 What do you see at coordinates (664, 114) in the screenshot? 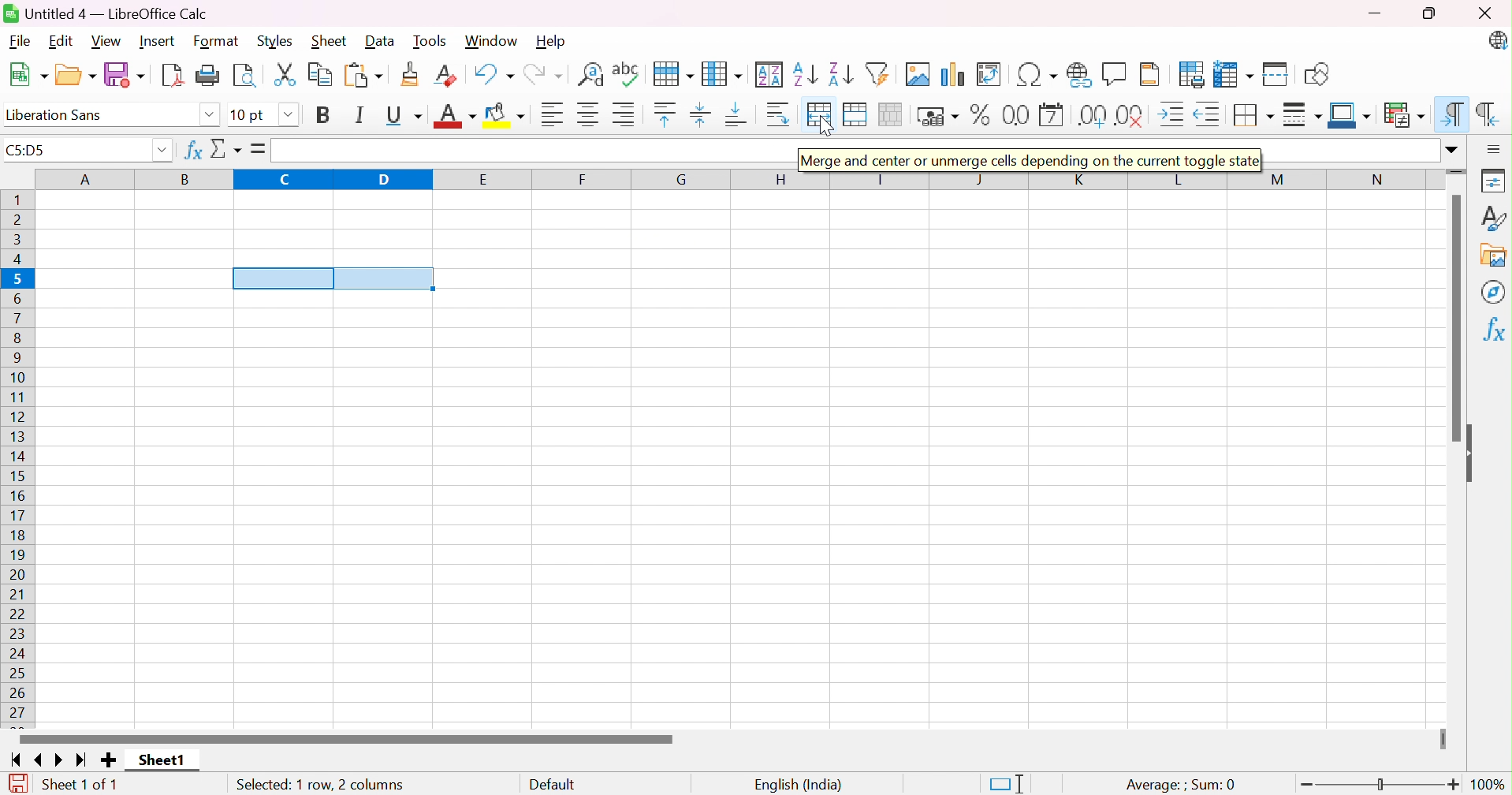
I see `Align Top` at bounding box center [664, 114].